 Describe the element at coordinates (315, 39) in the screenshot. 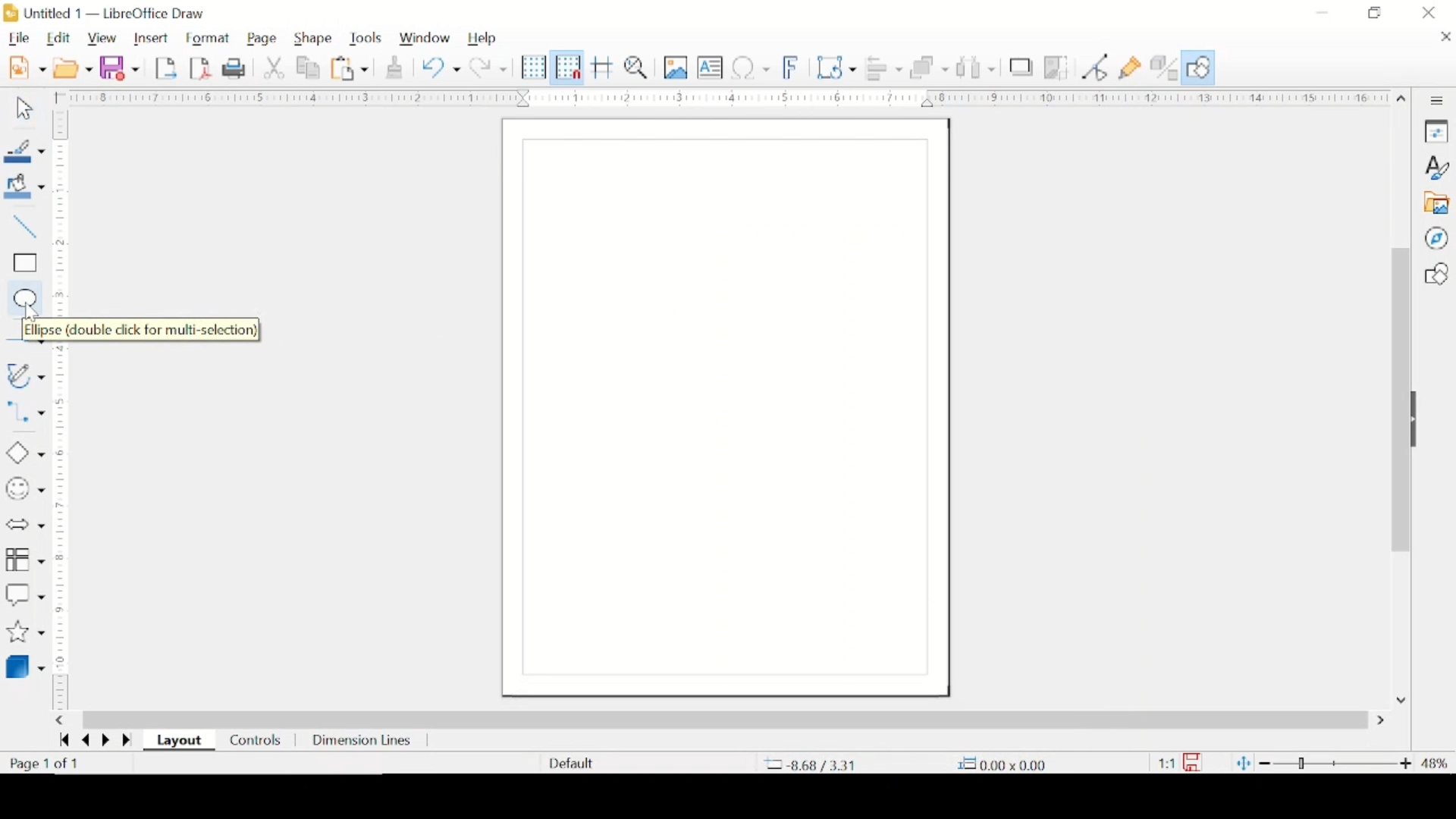

I see `shape` at that location.